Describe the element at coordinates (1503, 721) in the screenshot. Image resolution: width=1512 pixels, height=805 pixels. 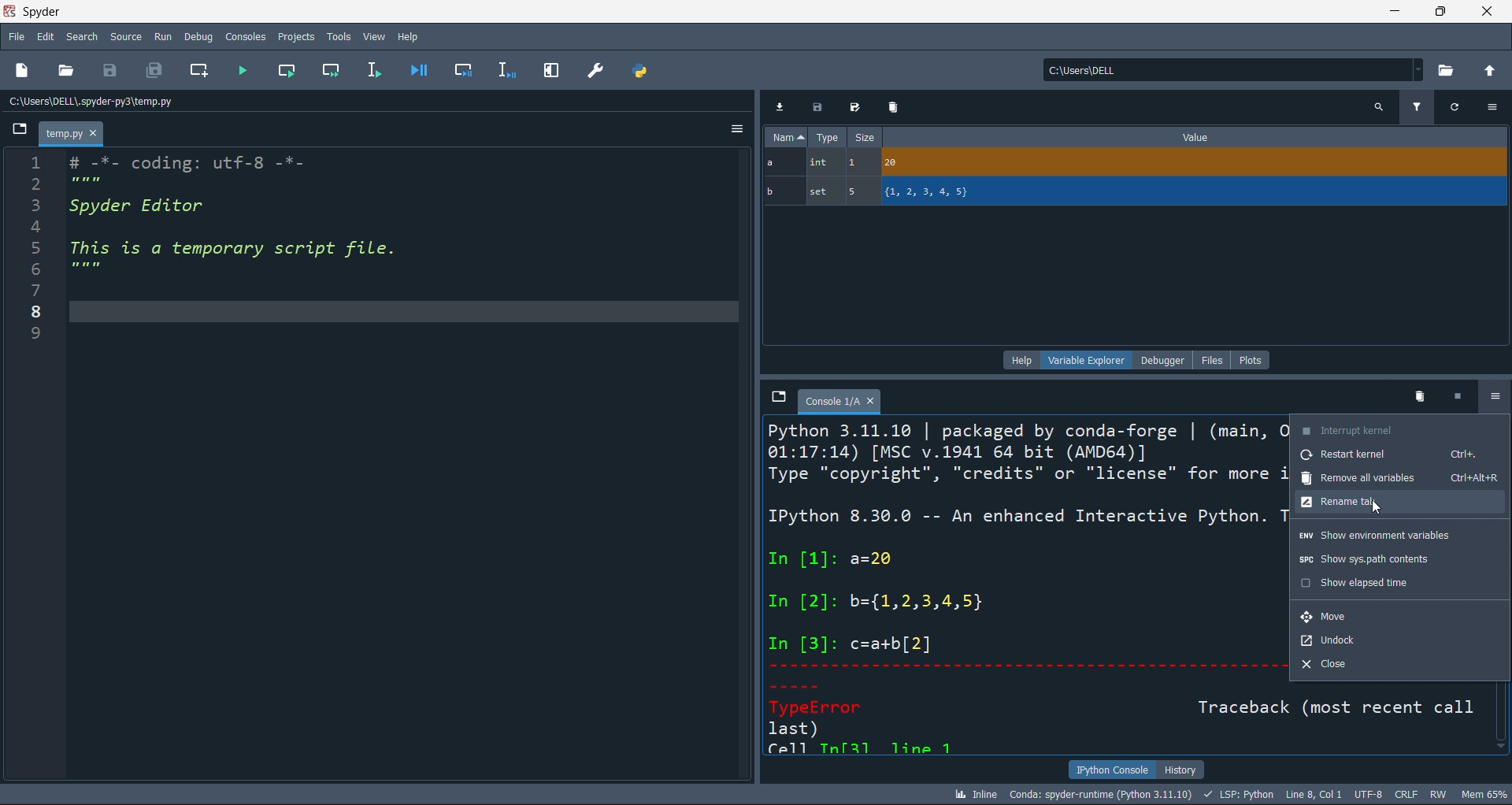
I see `scroll bar` at that location.